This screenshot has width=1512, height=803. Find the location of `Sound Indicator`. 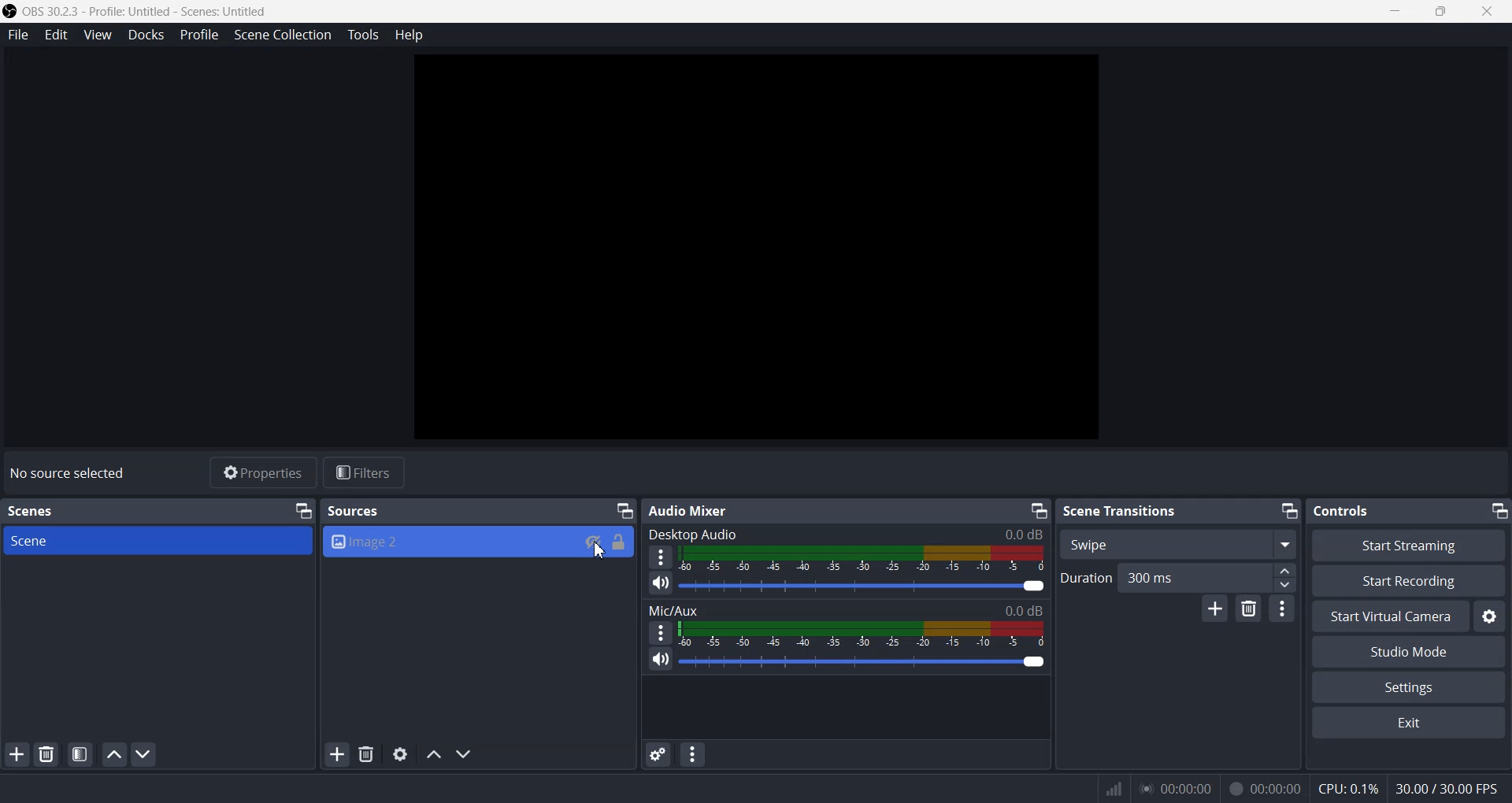

Sound Indicator is located at coordinates (865, 557).